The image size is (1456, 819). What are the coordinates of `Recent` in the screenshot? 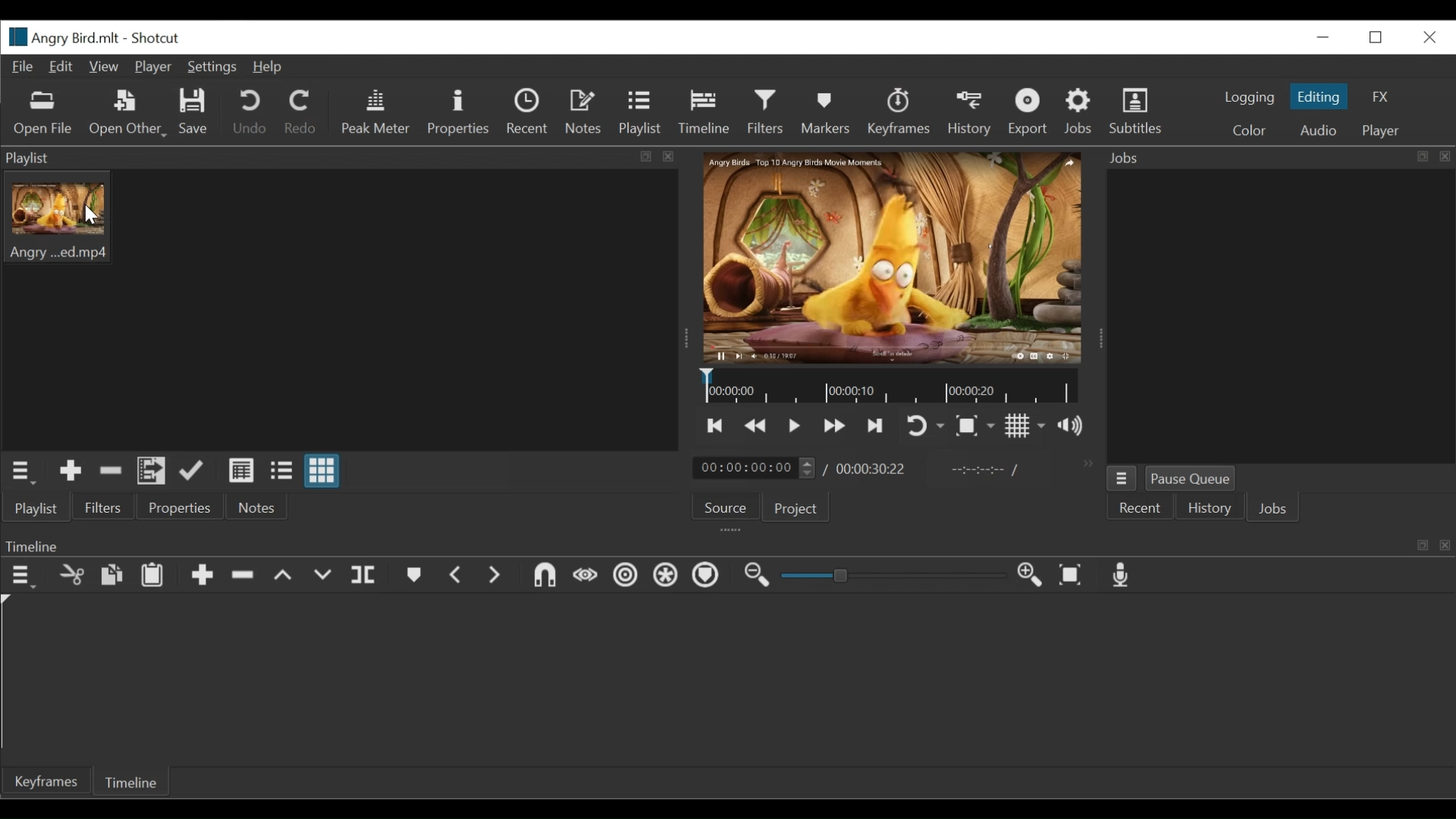 It's located at (1141, 508).